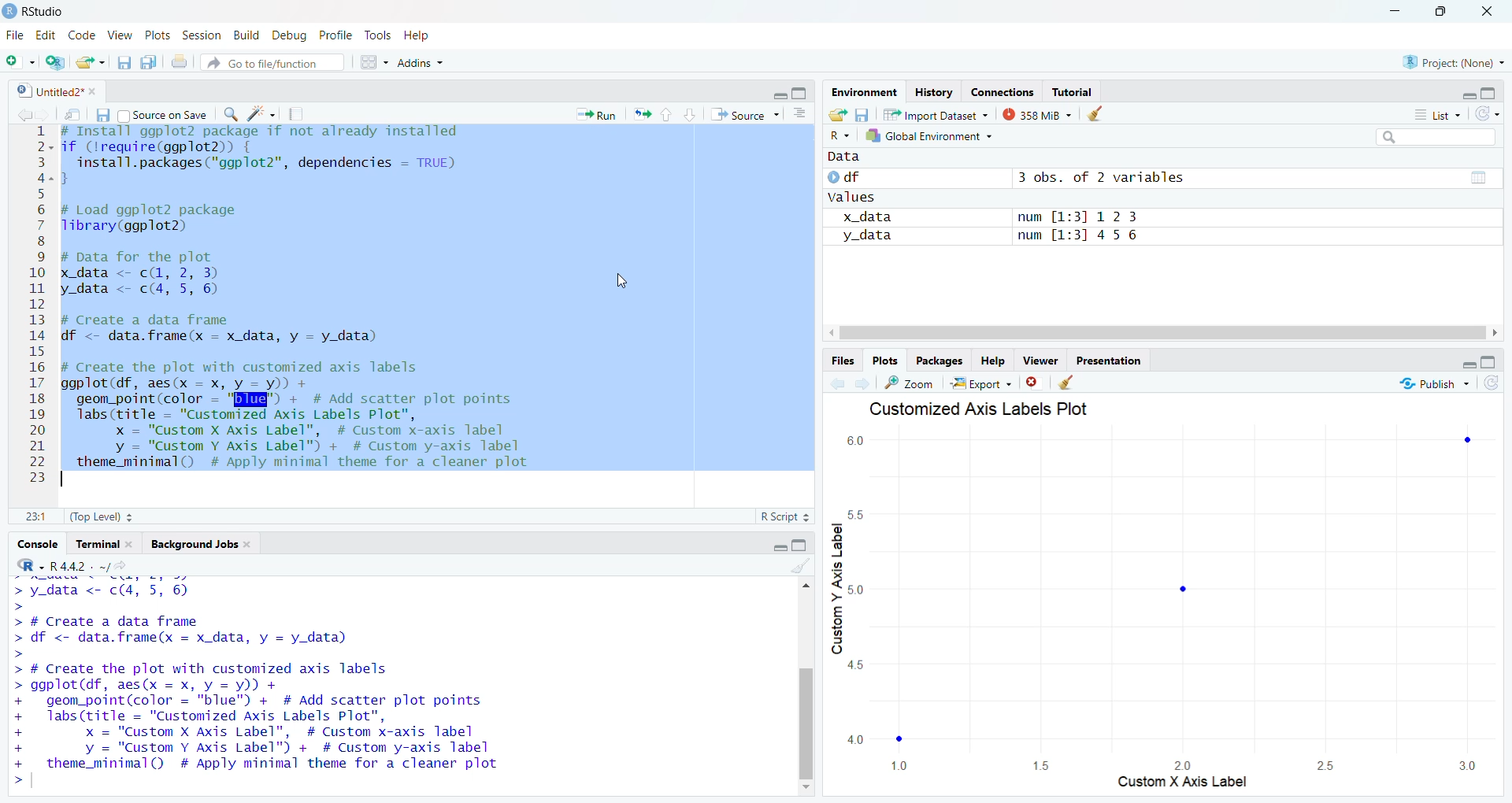 The width and height of the screenshot is (1512, 803). Describe the element at coordinates (335, 33) in the screenshot. I see `Profile` at that location.